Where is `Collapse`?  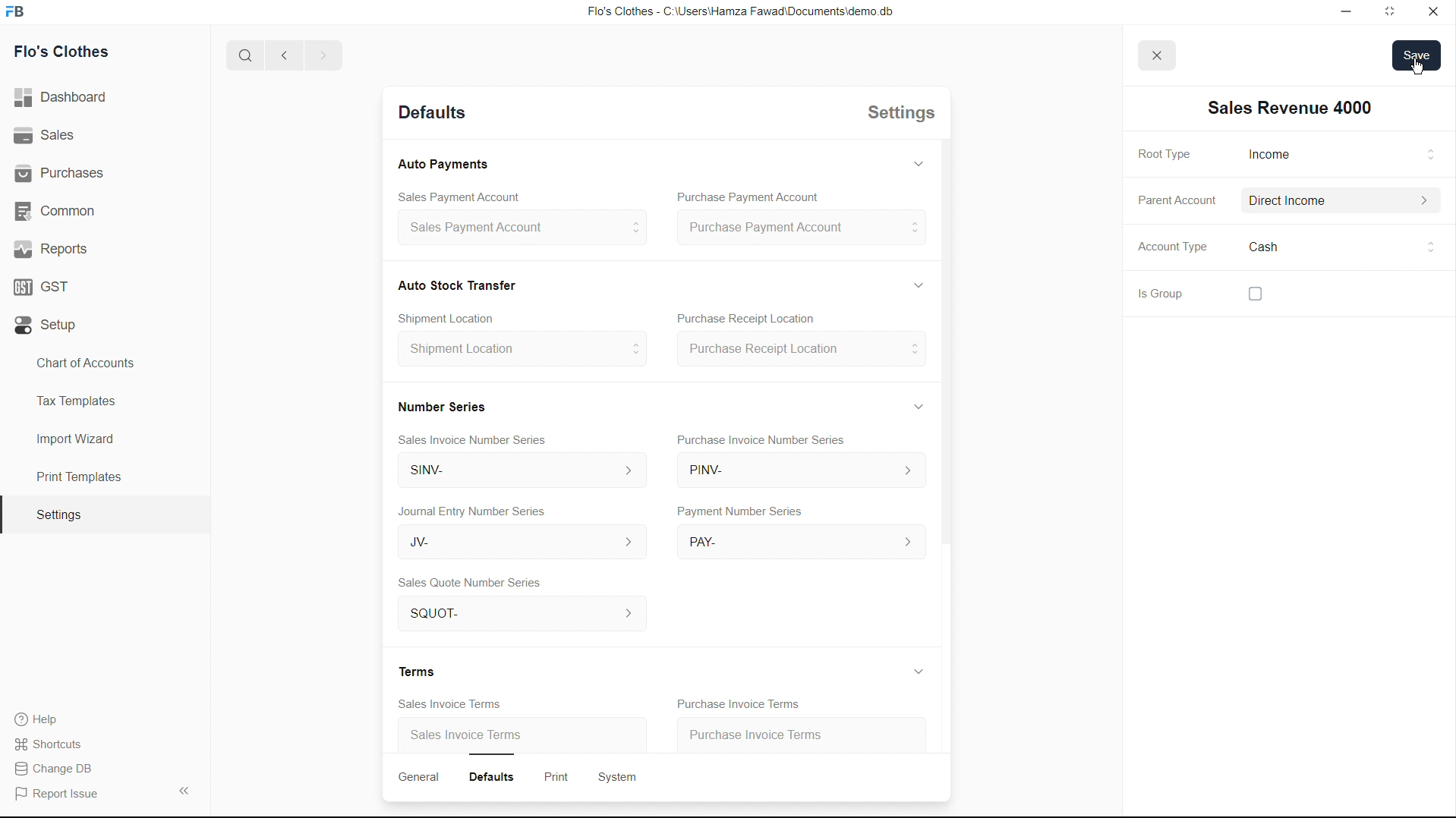 Collapse is located at coordinates (183, 790).